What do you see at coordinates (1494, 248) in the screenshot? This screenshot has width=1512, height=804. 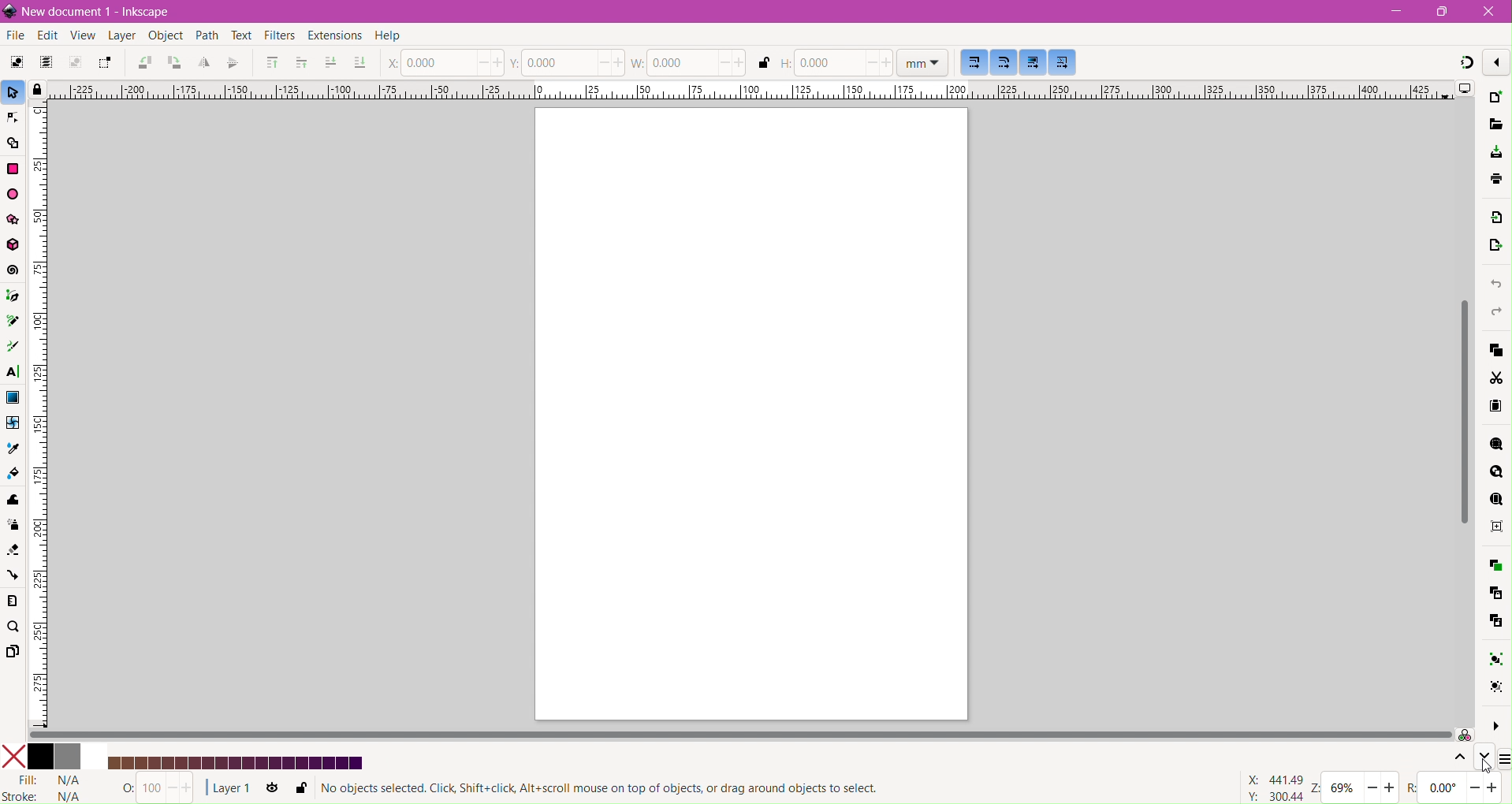 I see `Open Export` at bounding box center [1494, 248].